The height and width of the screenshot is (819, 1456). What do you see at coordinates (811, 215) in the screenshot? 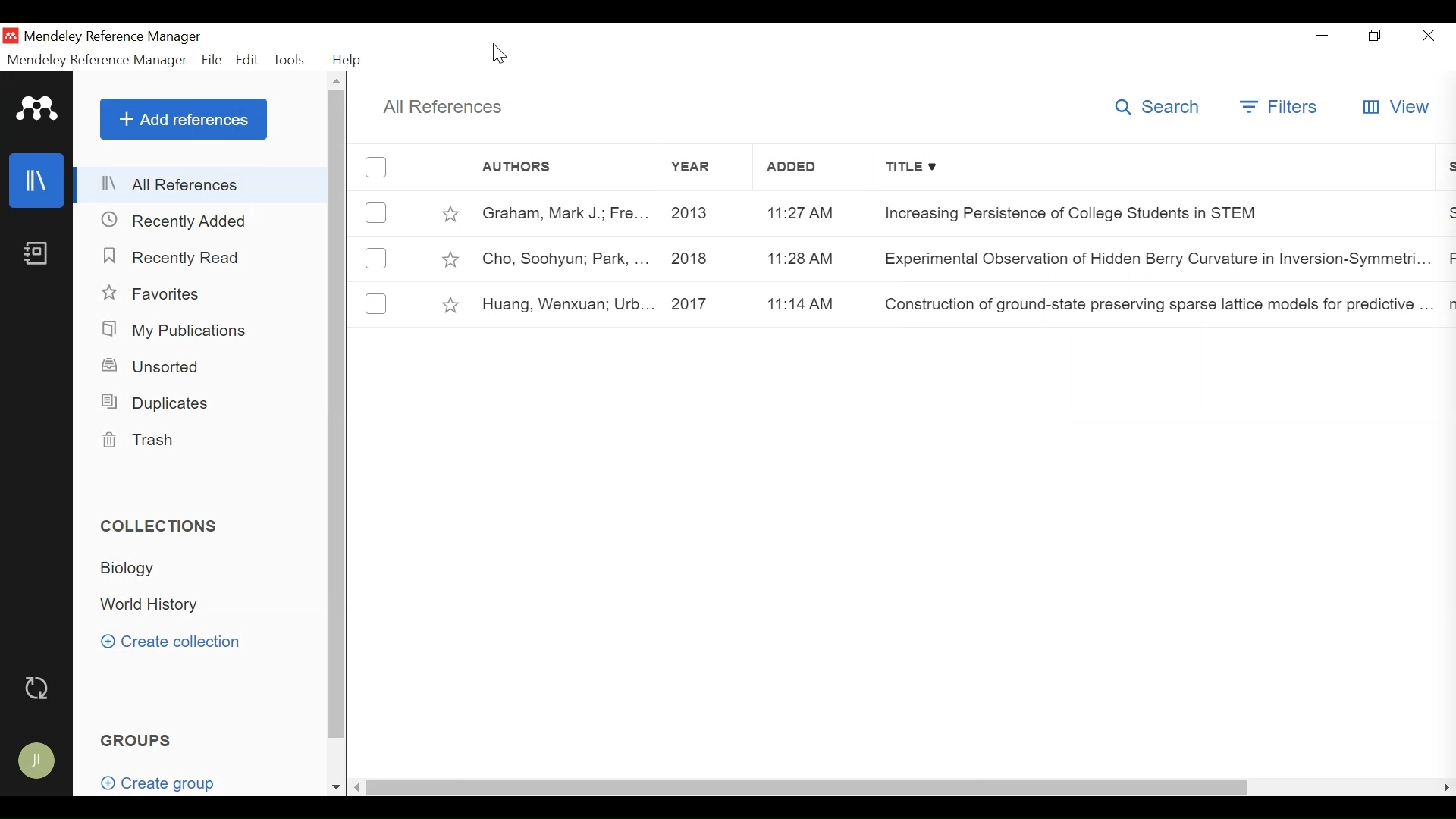
I see `11:27 AM` at bounding box center [811, 215].